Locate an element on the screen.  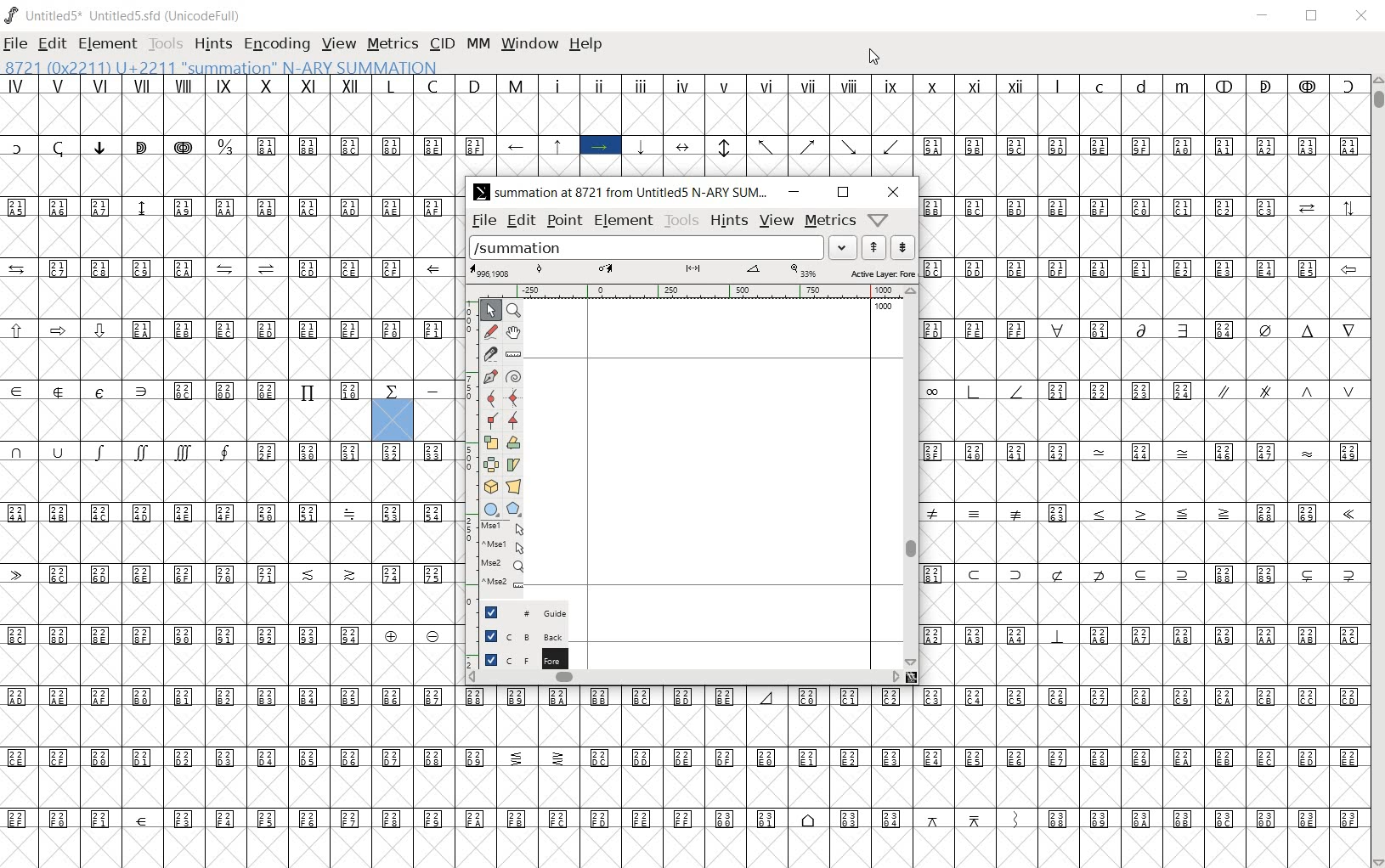
add a curve point always either horizontal or vertical is located at coordinates (490, 397).